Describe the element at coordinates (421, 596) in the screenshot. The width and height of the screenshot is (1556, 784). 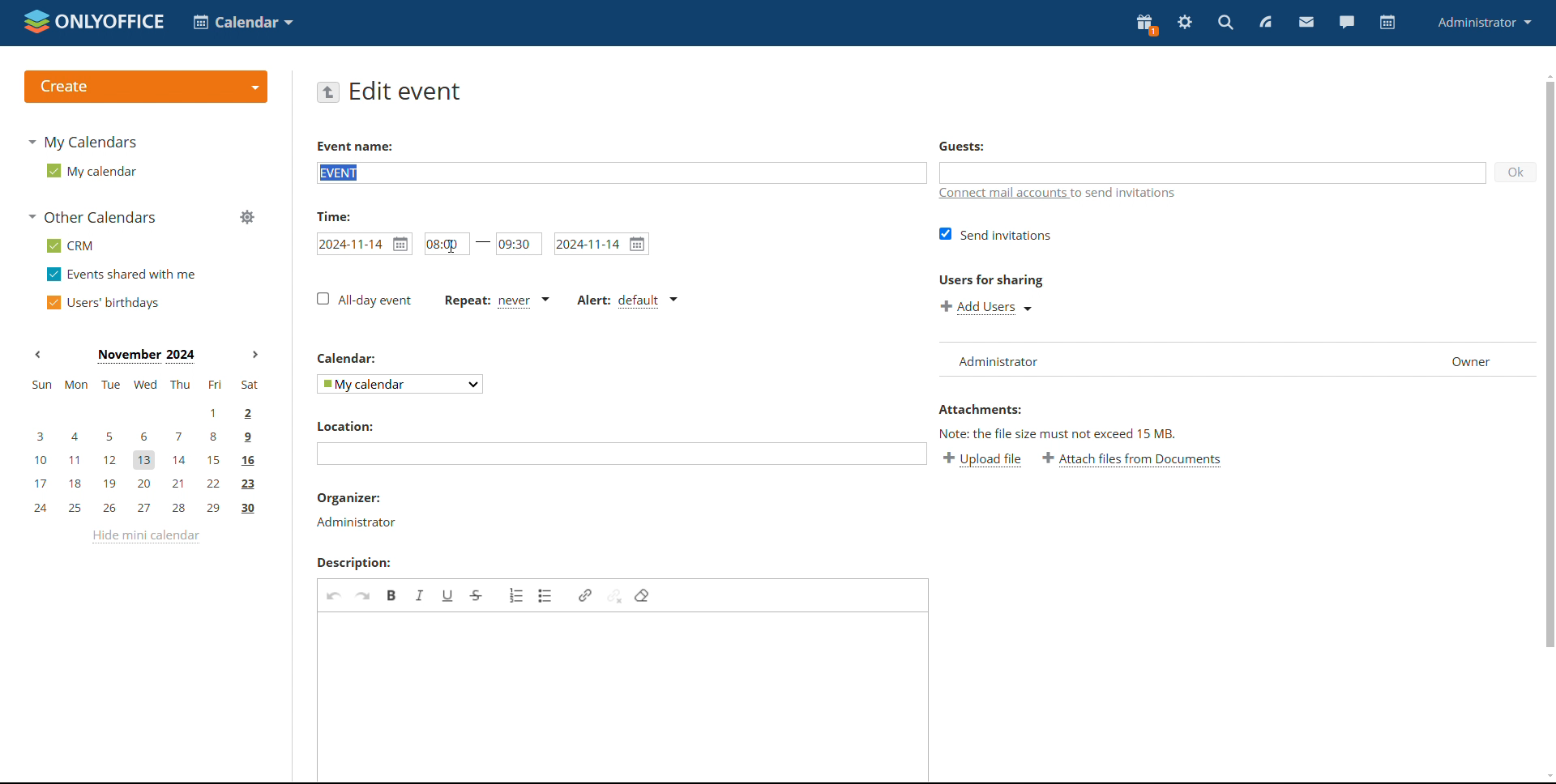
I see `italic` at that location.